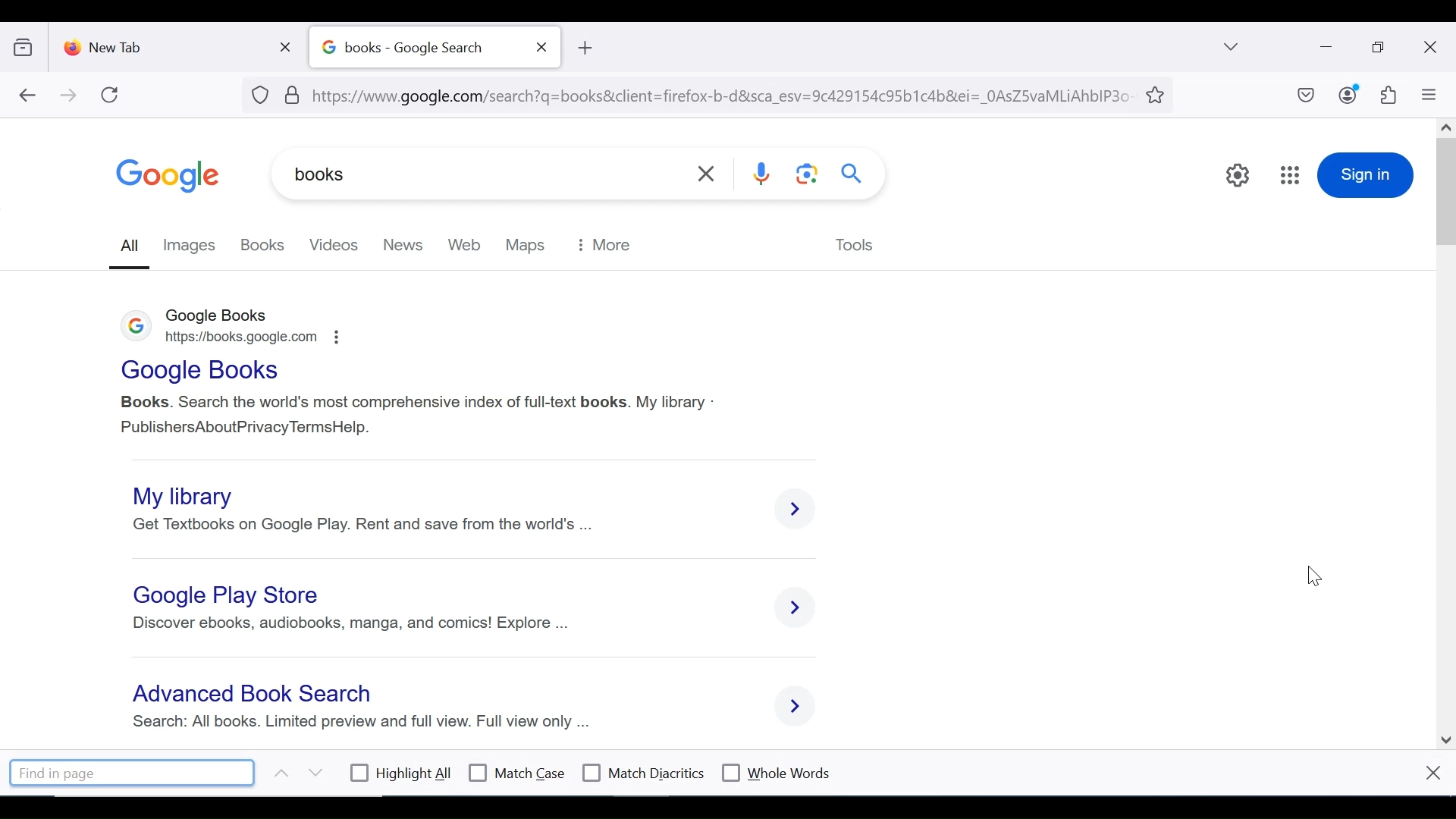  I want to click on close window, so click(1431, 48).